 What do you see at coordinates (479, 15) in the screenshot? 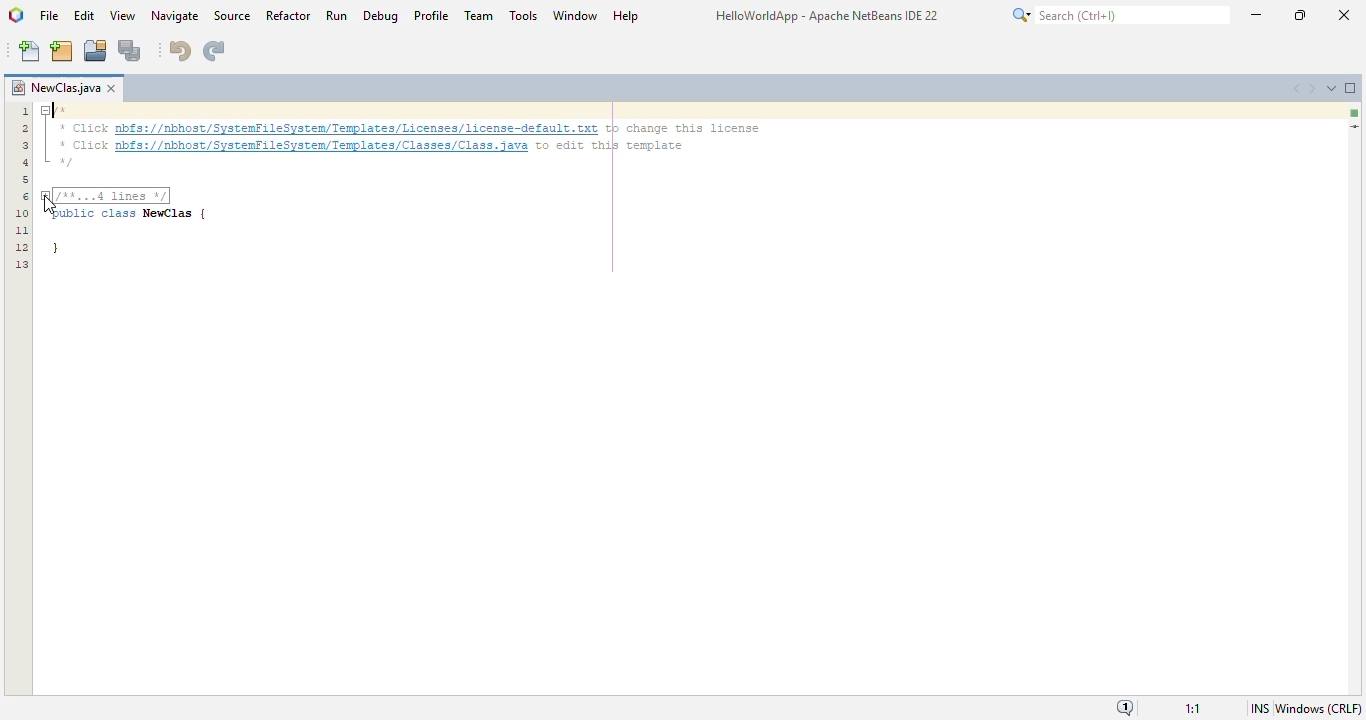
I see `team` at bounding box center [479, 15].